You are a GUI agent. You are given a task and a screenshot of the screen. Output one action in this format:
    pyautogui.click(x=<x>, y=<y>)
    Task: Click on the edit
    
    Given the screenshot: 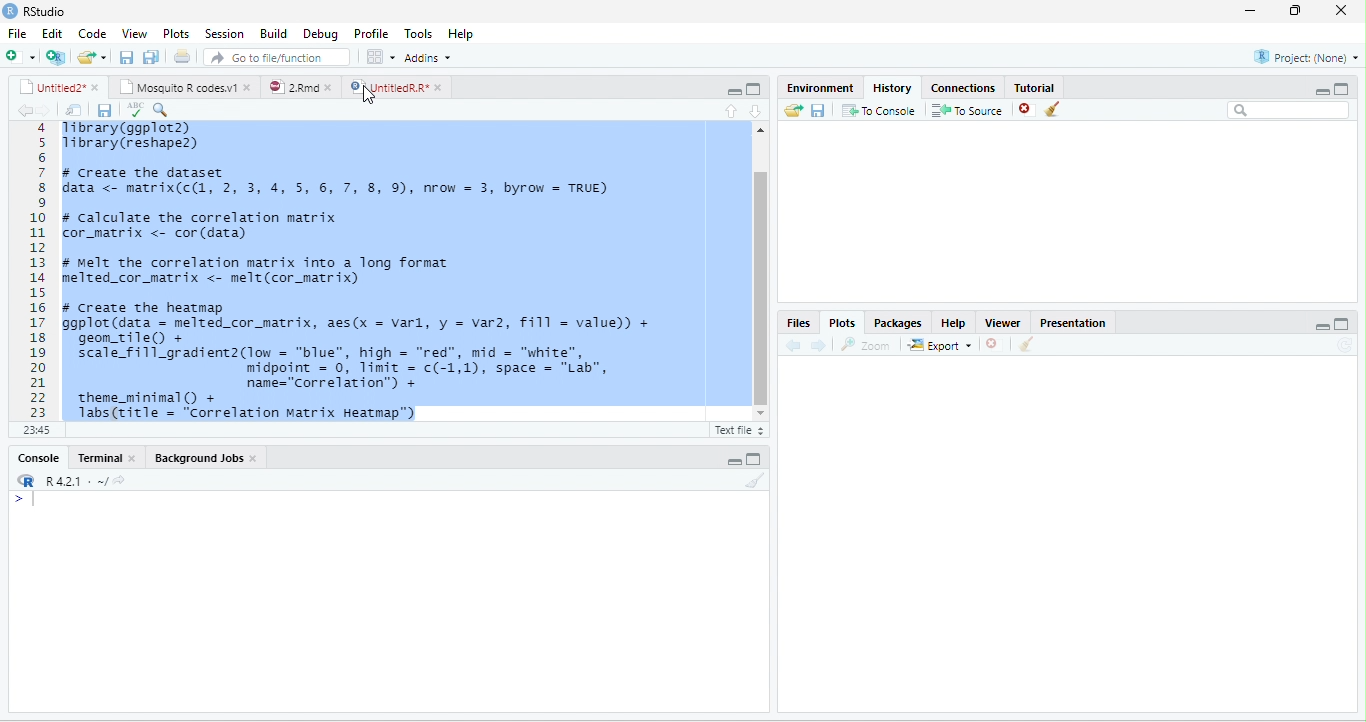 What is the action you would take?
    pyautogui.click(x=52, y=34)
    